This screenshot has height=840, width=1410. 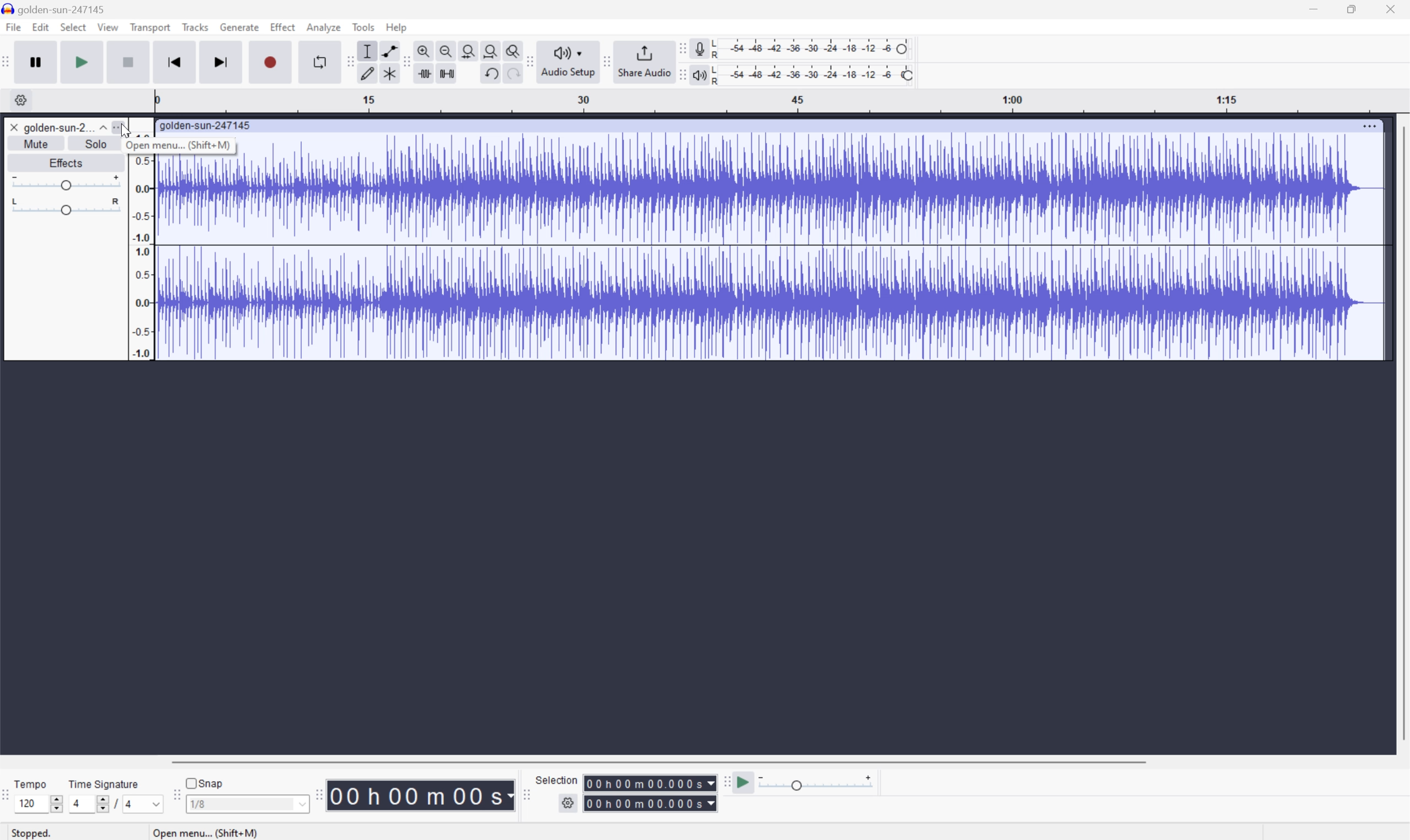 What do you see at coordinates (109, 26) in the screenshot?
I see `View` at bounding box center [109, 26].